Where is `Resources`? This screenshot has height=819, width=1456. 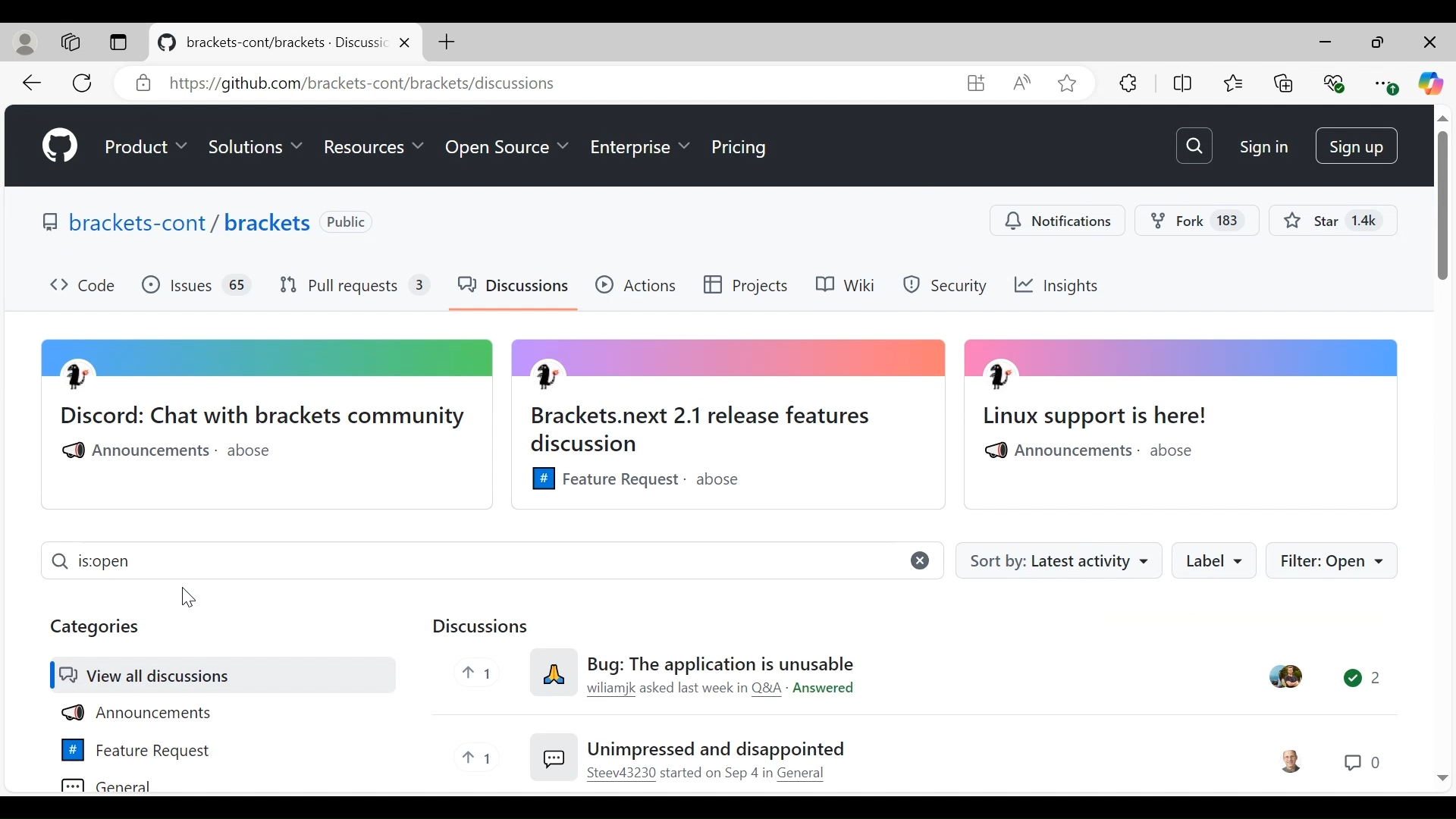 Resources is located at coordinates (372, 147).